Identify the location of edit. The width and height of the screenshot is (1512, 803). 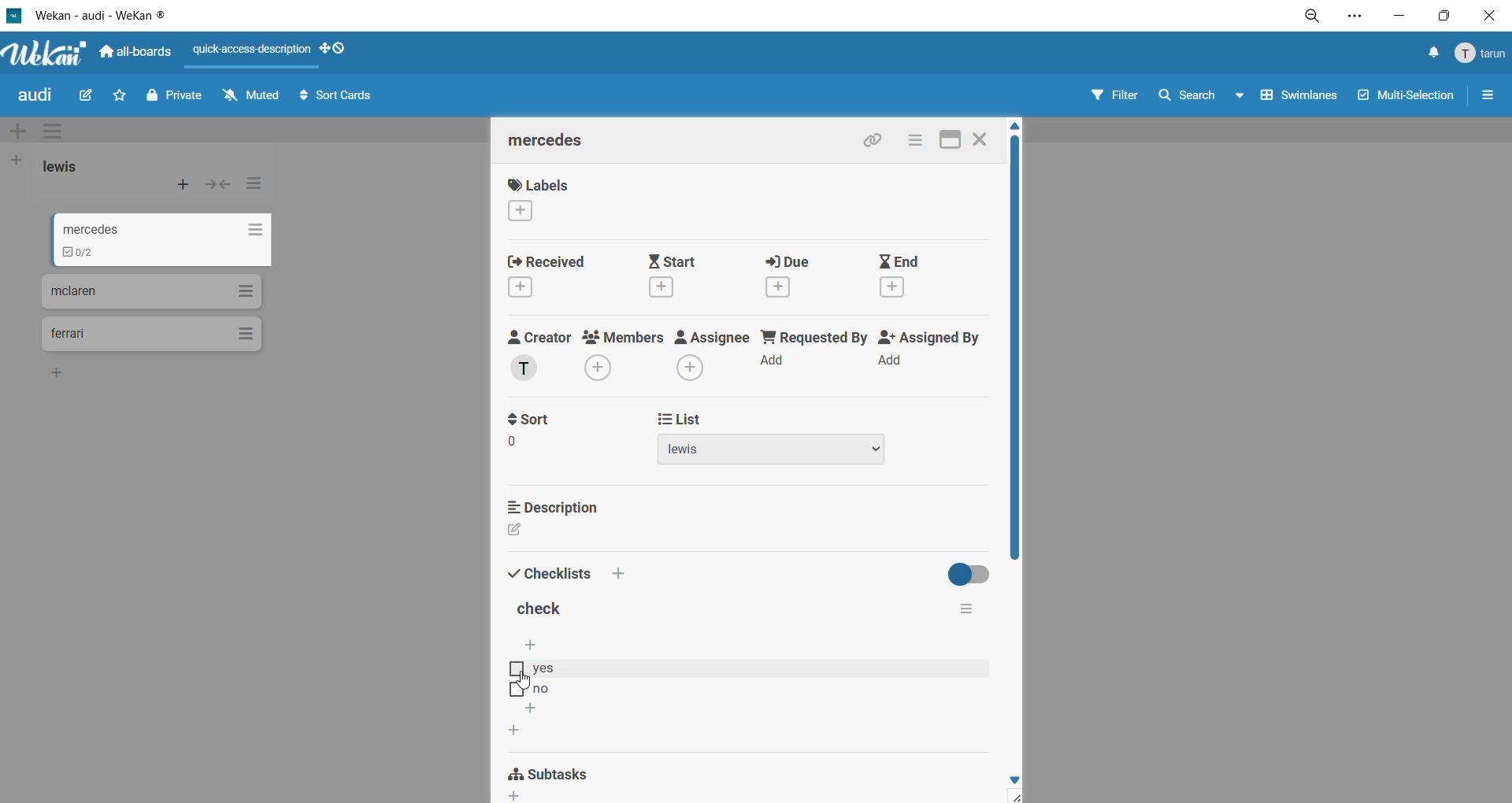
(524, 530).